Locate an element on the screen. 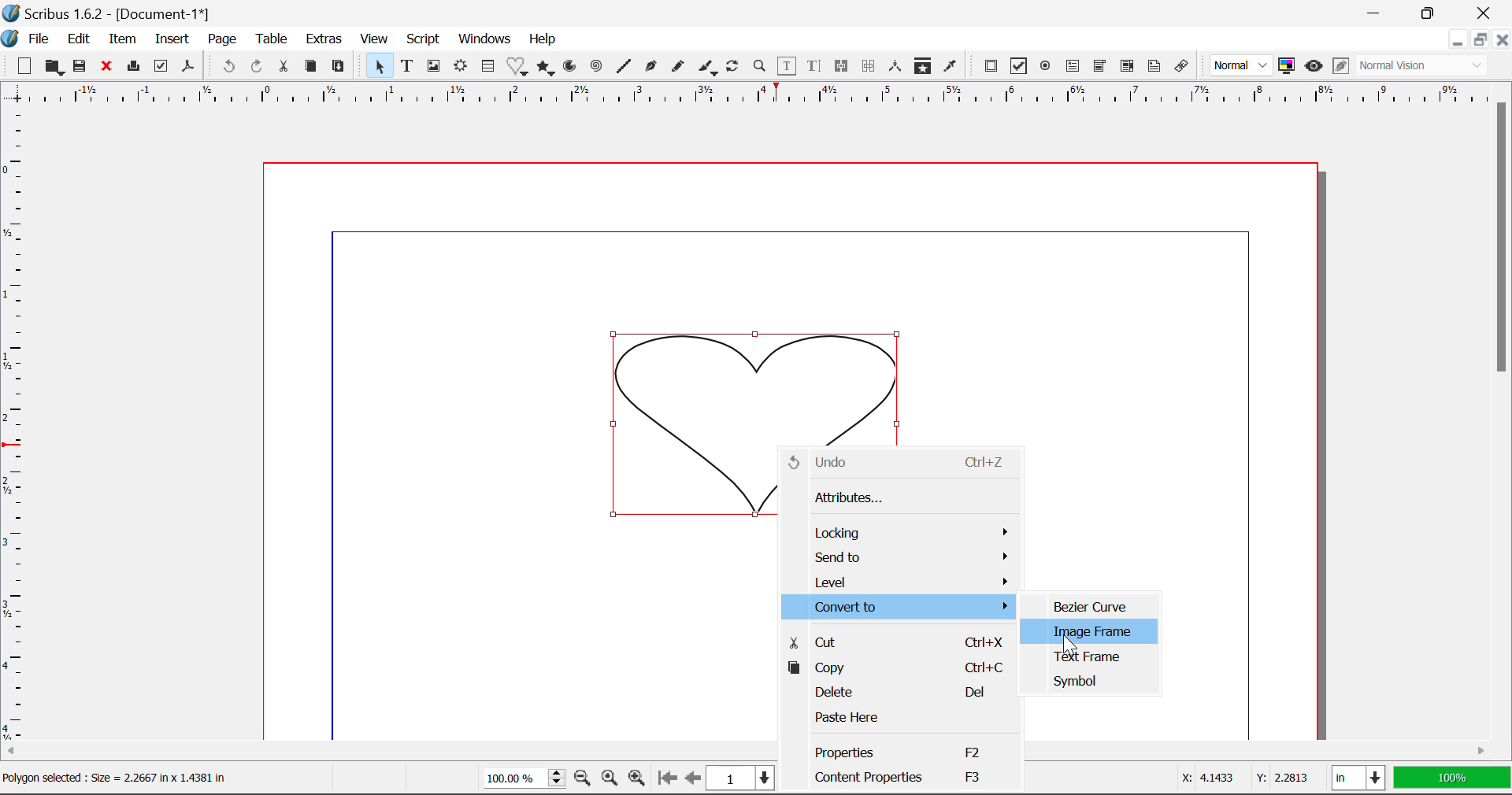 The height and width of the screenshot is (795, 1512). 1  is located at coordinates (740, 778).